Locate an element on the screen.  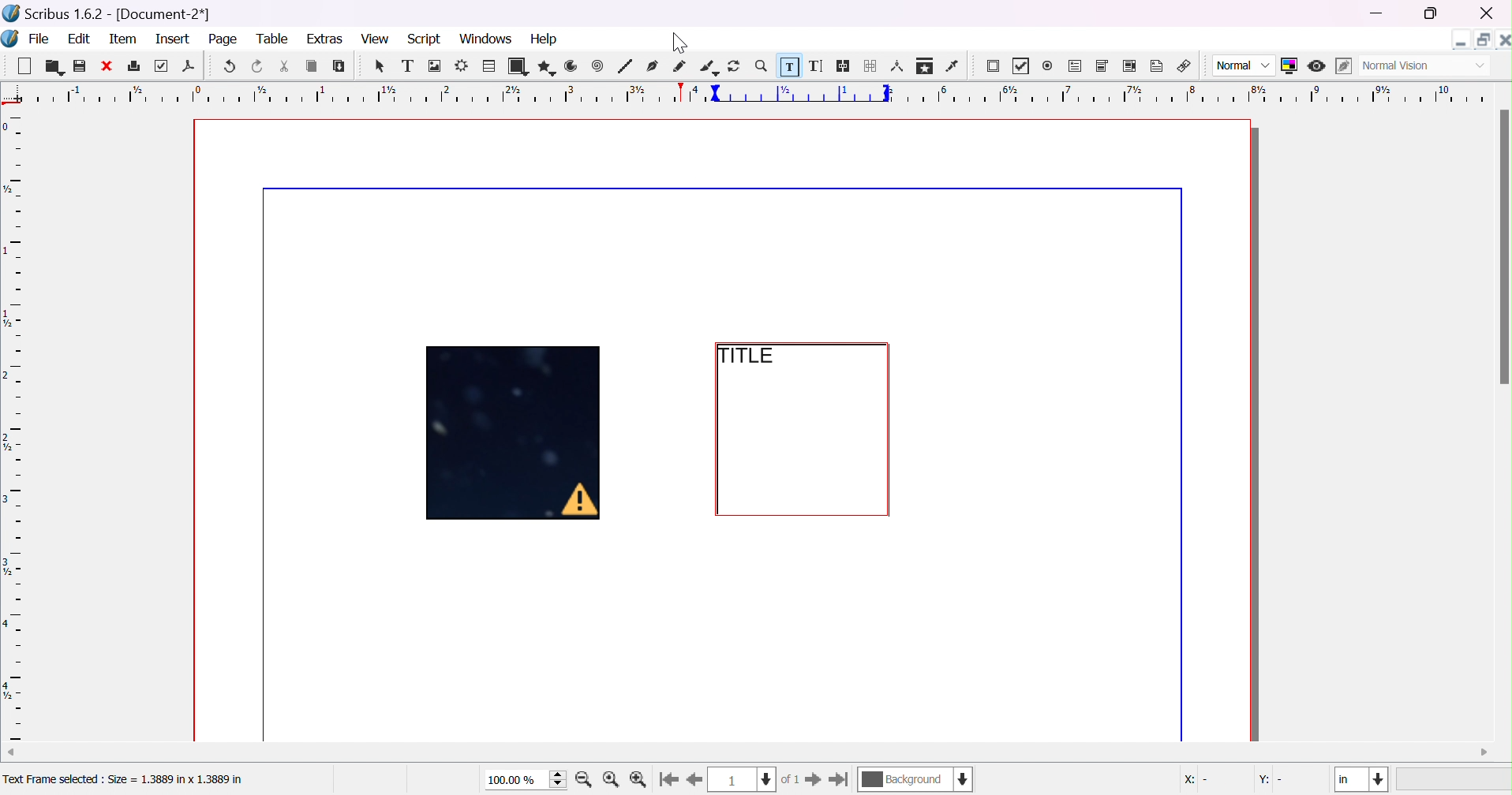
render frame is located at coordinates (462, 65).